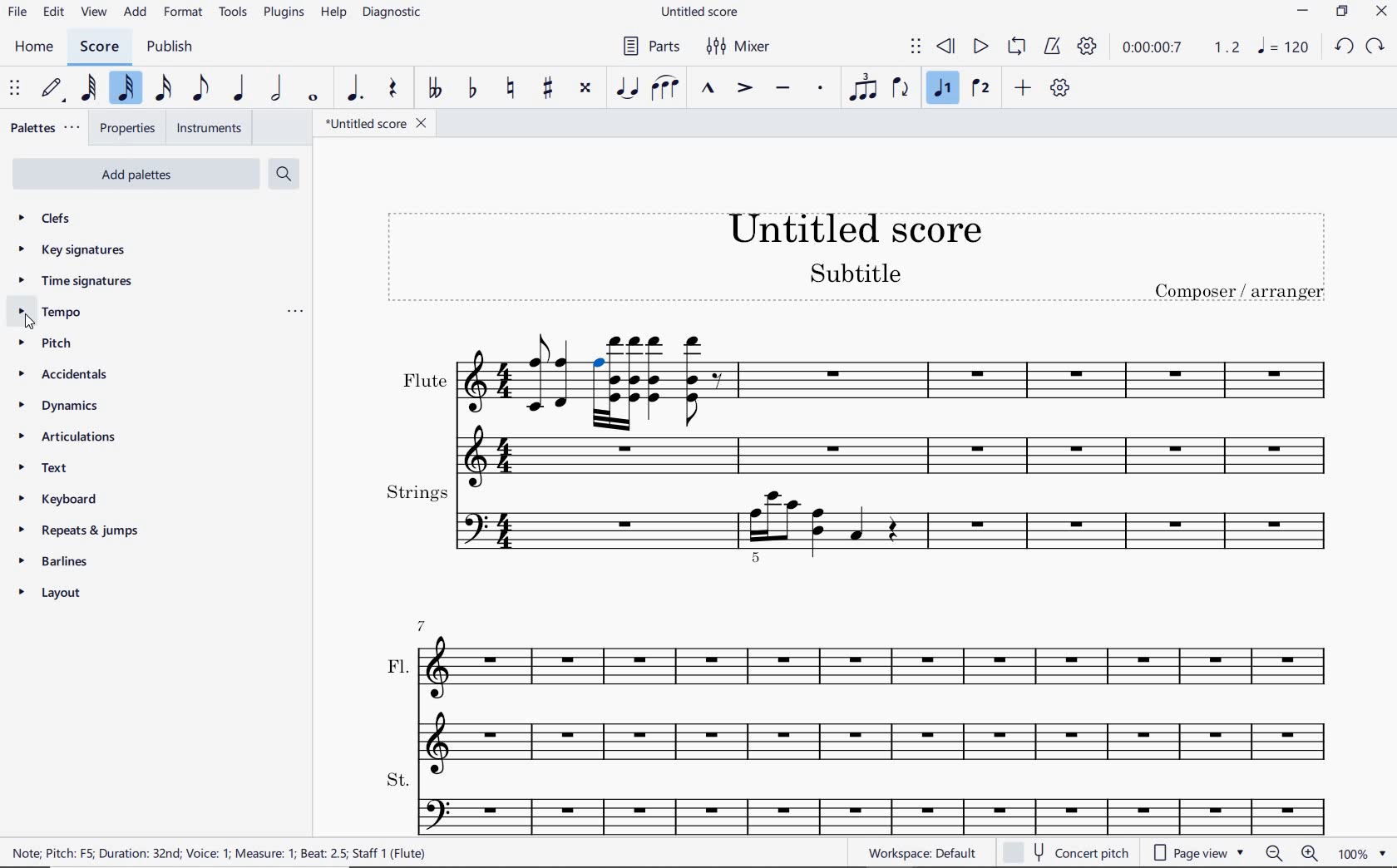 The image size is (1397, 868). I want to click on file, so click(17, 11).